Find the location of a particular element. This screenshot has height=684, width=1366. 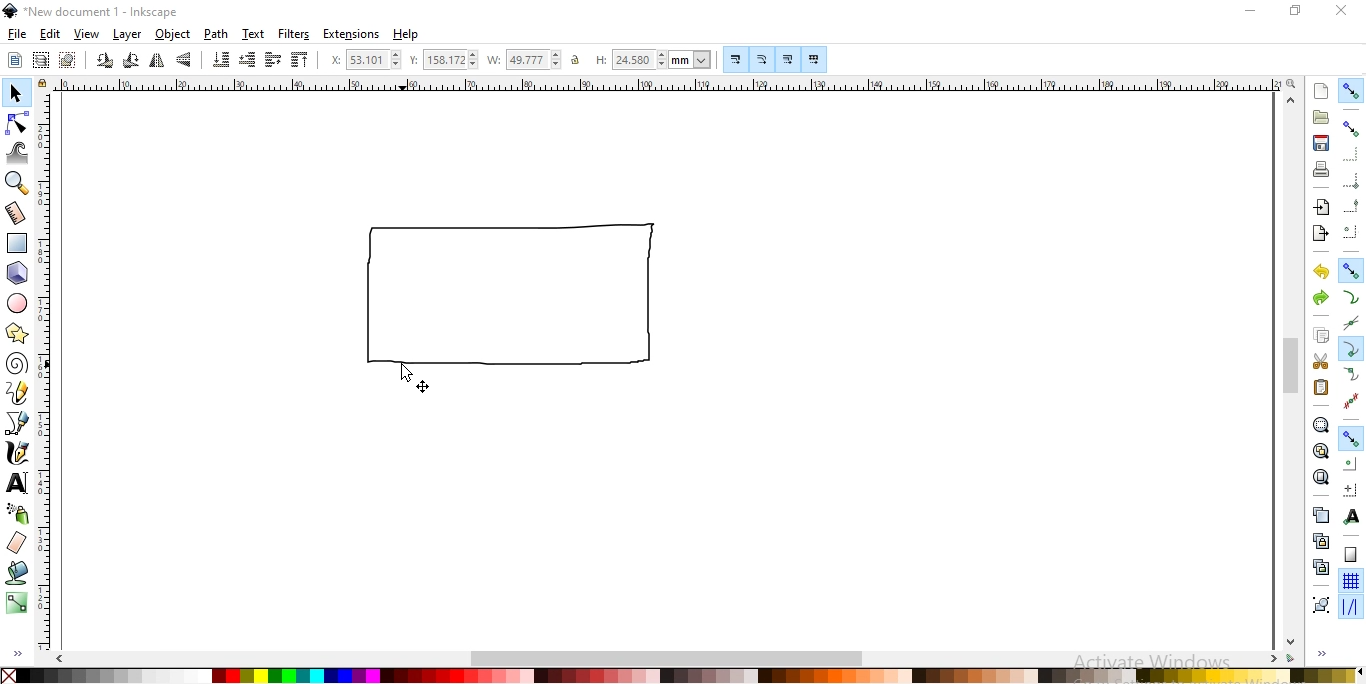

flip selected objects vertically is located at coordinates (185, 60).